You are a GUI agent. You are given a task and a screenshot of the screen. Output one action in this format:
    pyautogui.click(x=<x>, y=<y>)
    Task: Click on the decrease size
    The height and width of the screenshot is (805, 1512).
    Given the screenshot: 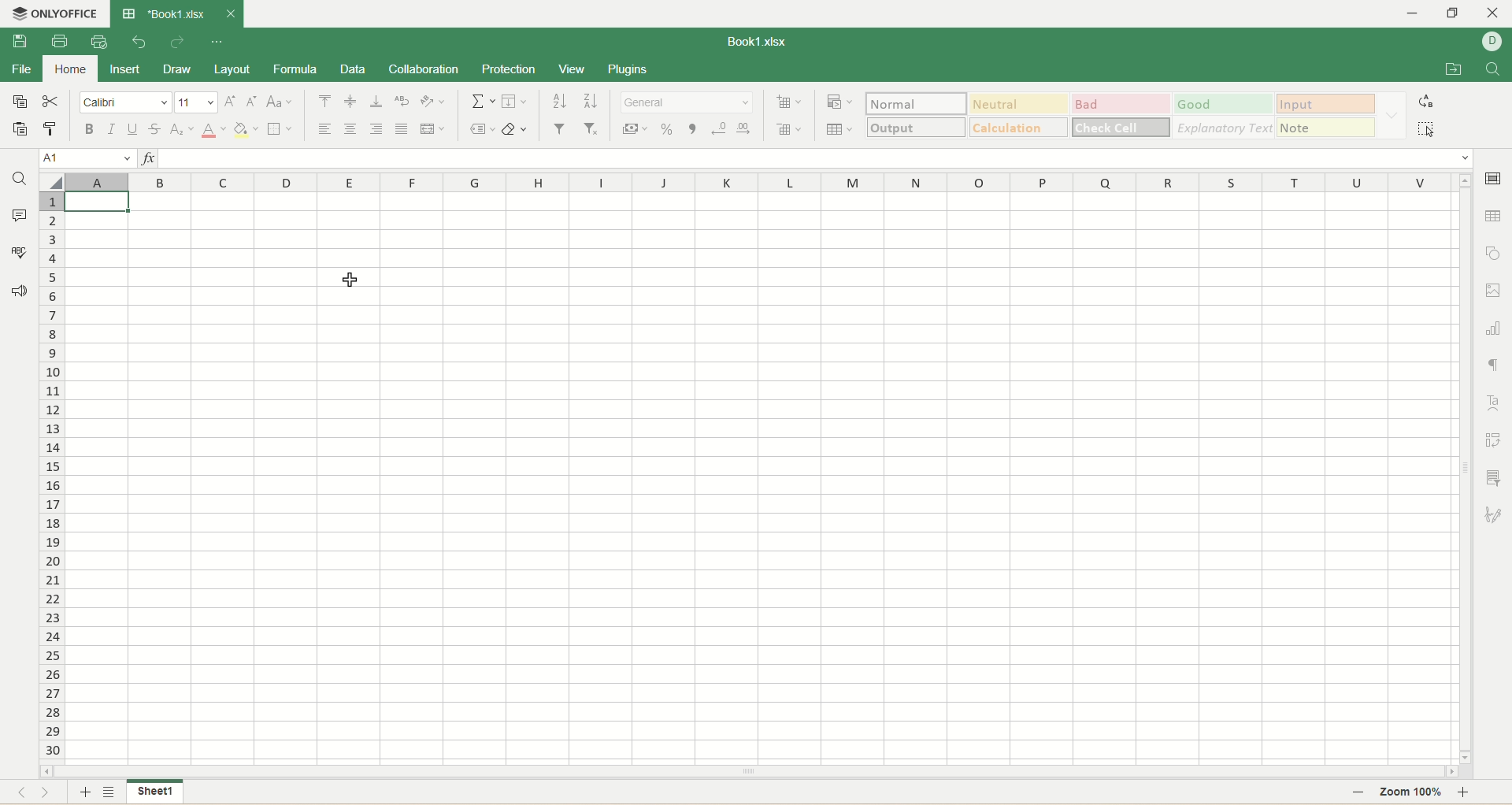 What is the action you would take?
    pyautogui.click(x=254, y=101)
    